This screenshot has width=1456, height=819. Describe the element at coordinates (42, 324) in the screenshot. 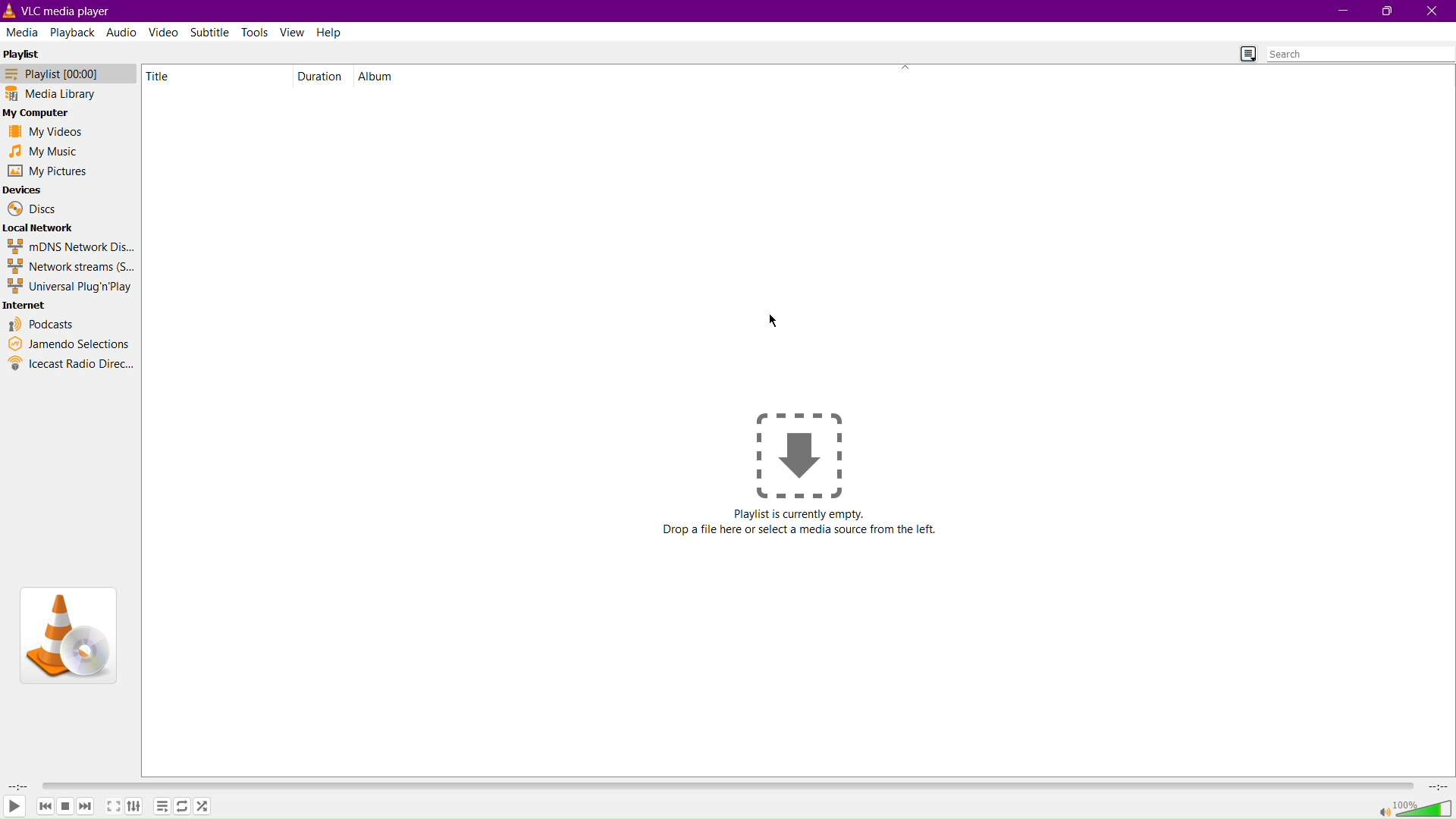

I see `Podcasts` at that location.